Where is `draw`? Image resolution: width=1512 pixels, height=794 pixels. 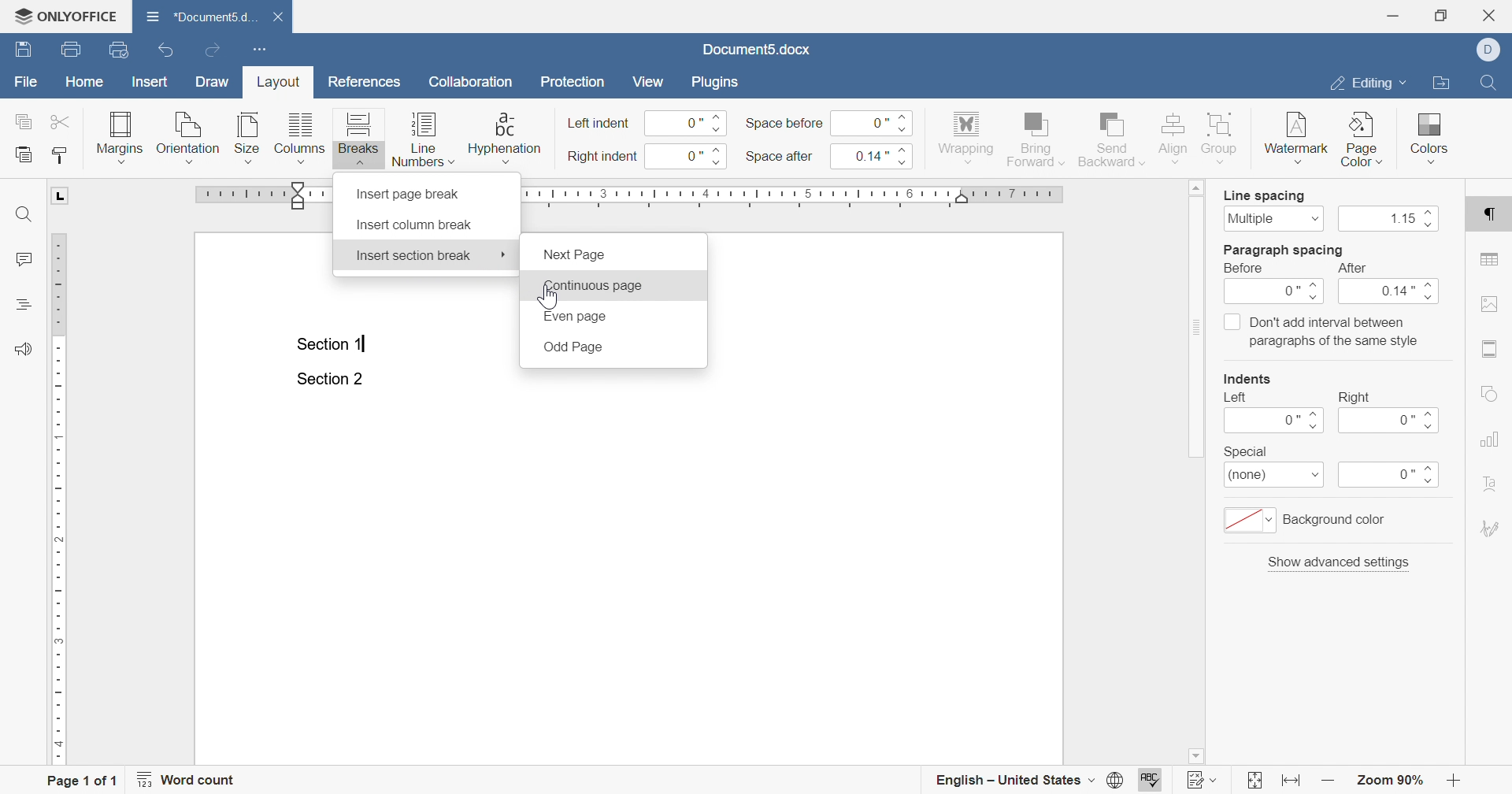
draw is located at coordinates (213, 81).